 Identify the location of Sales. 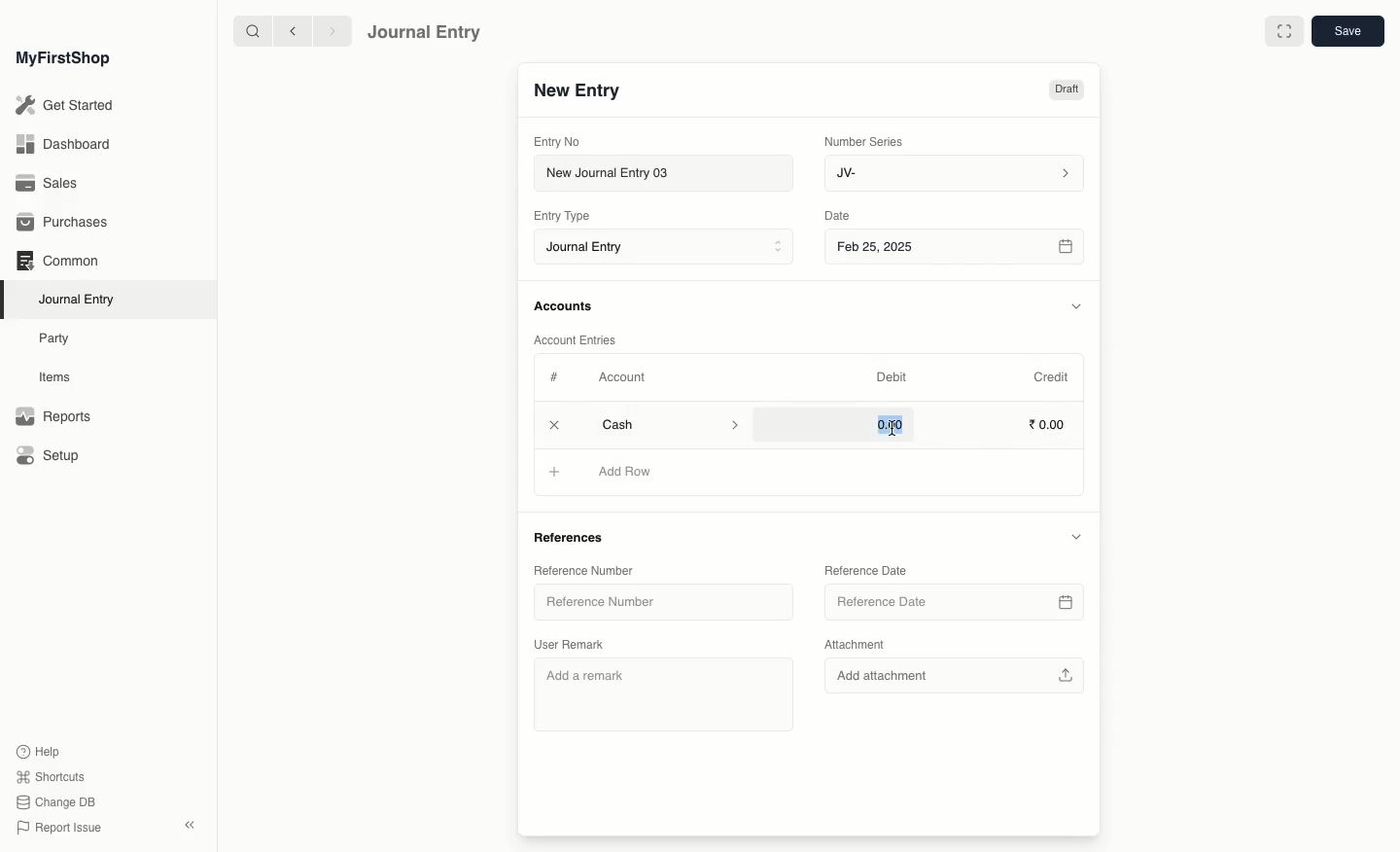
(48, 185).